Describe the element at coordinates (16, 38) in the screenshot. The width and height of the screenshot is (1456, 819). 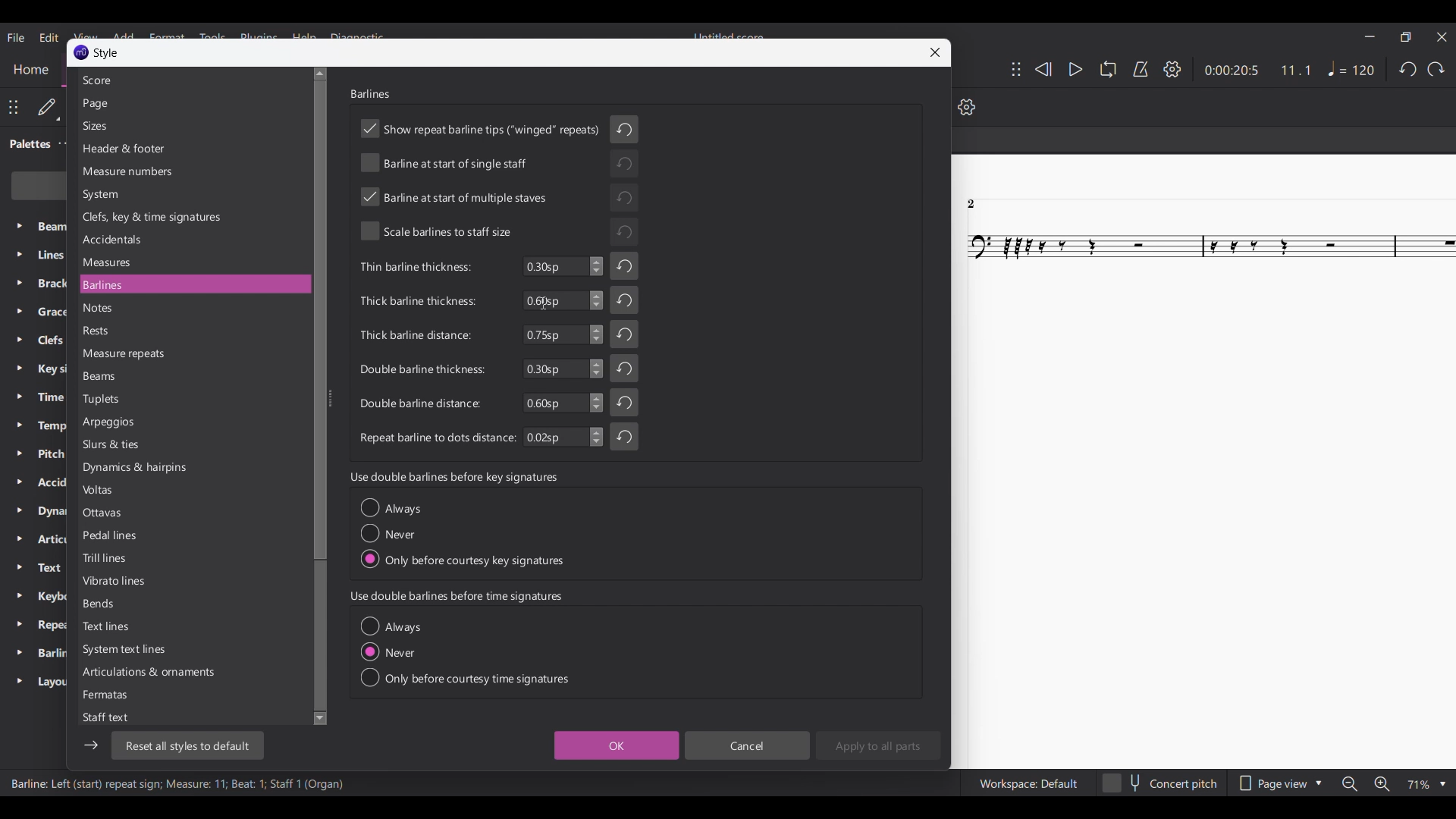
I see `File menu` at that location.